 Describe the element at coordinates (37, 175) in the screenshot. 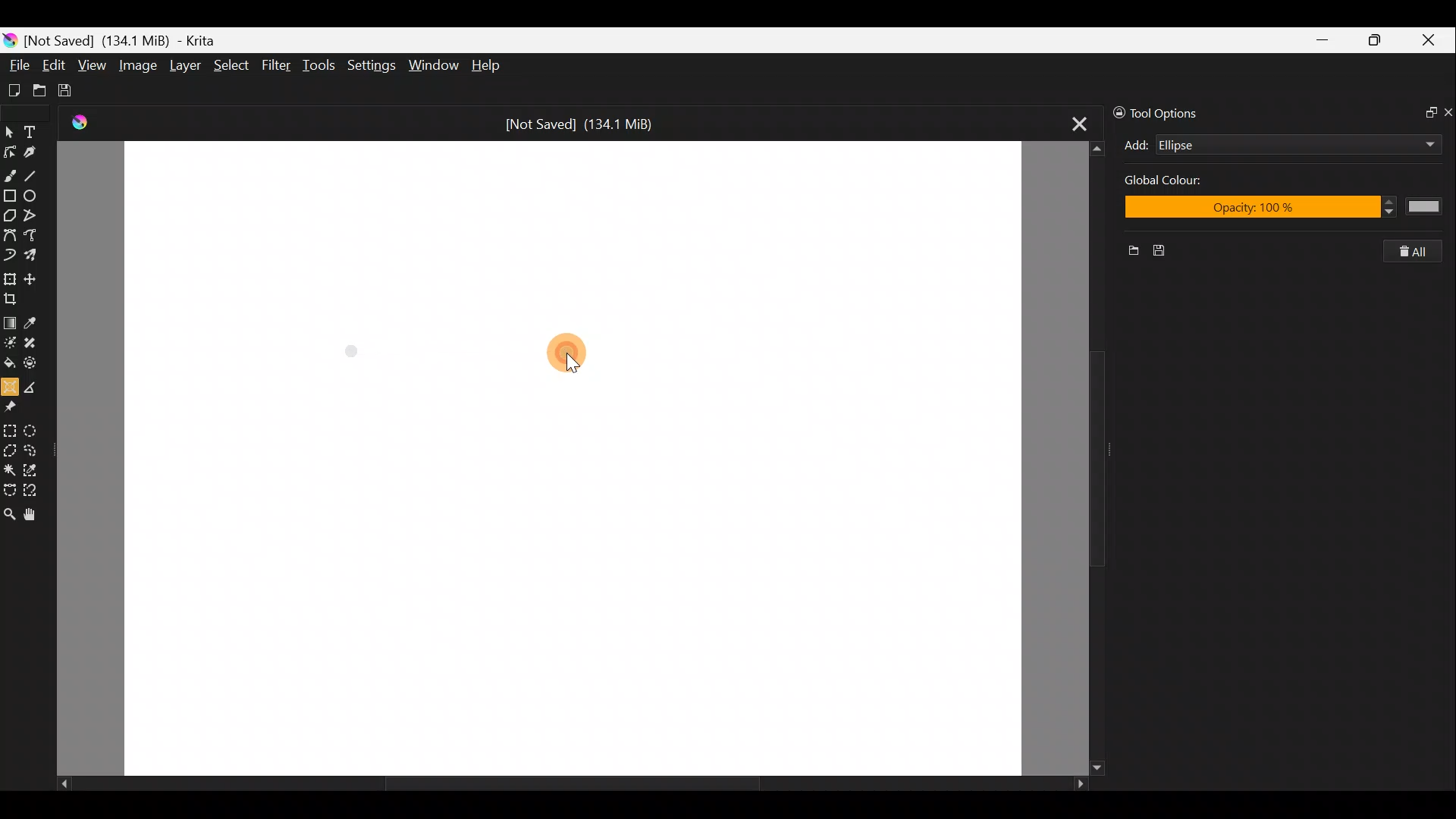

I see `Line` at that location.